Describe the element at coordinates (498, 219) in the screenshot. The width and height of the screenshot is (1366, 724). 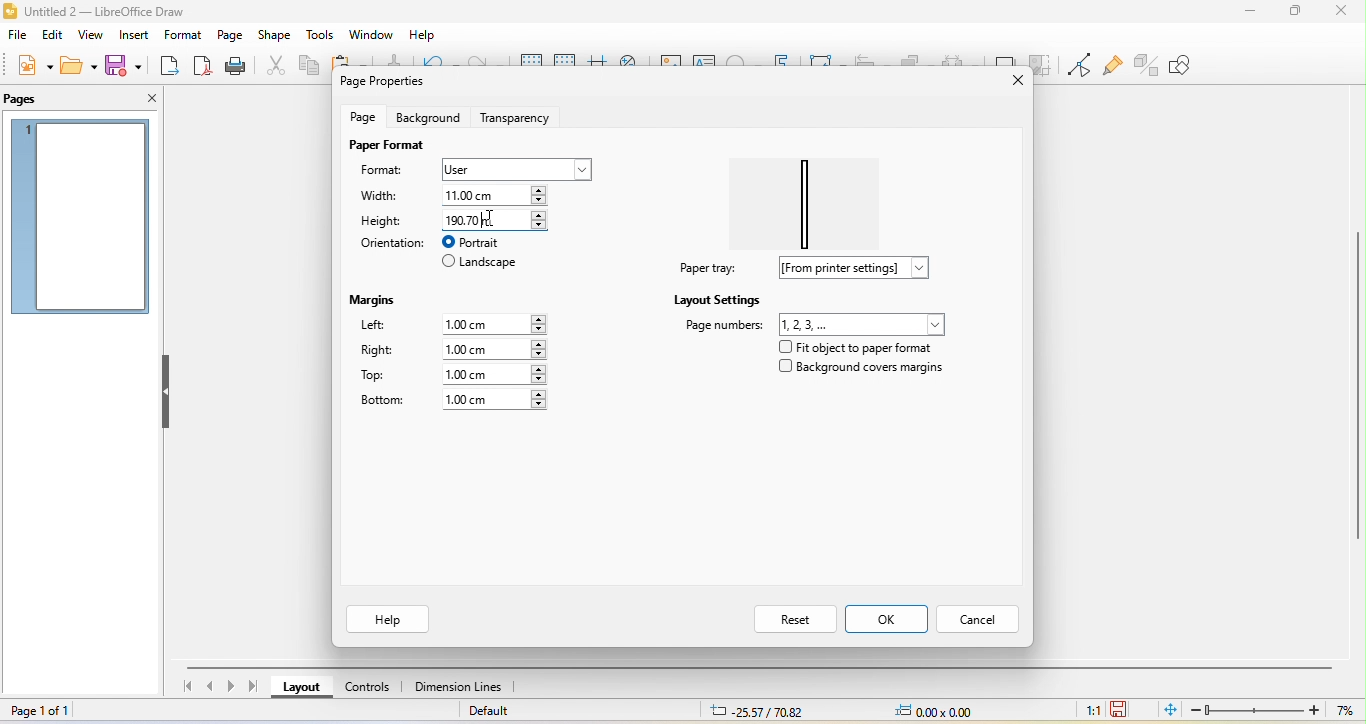
I see `cursor movement` at that location.